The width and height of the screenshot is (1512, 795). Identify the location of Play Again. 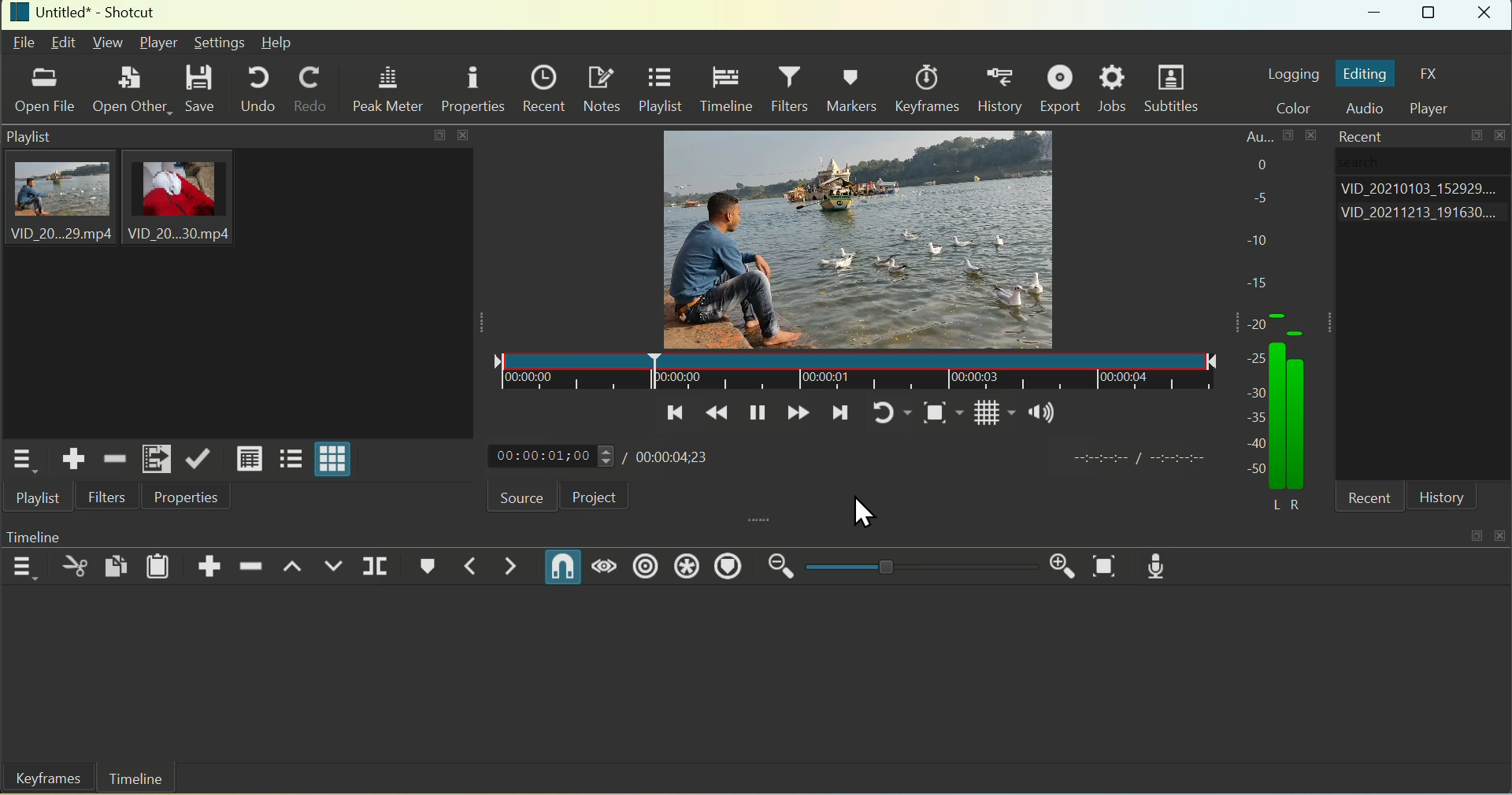
(884, 412).